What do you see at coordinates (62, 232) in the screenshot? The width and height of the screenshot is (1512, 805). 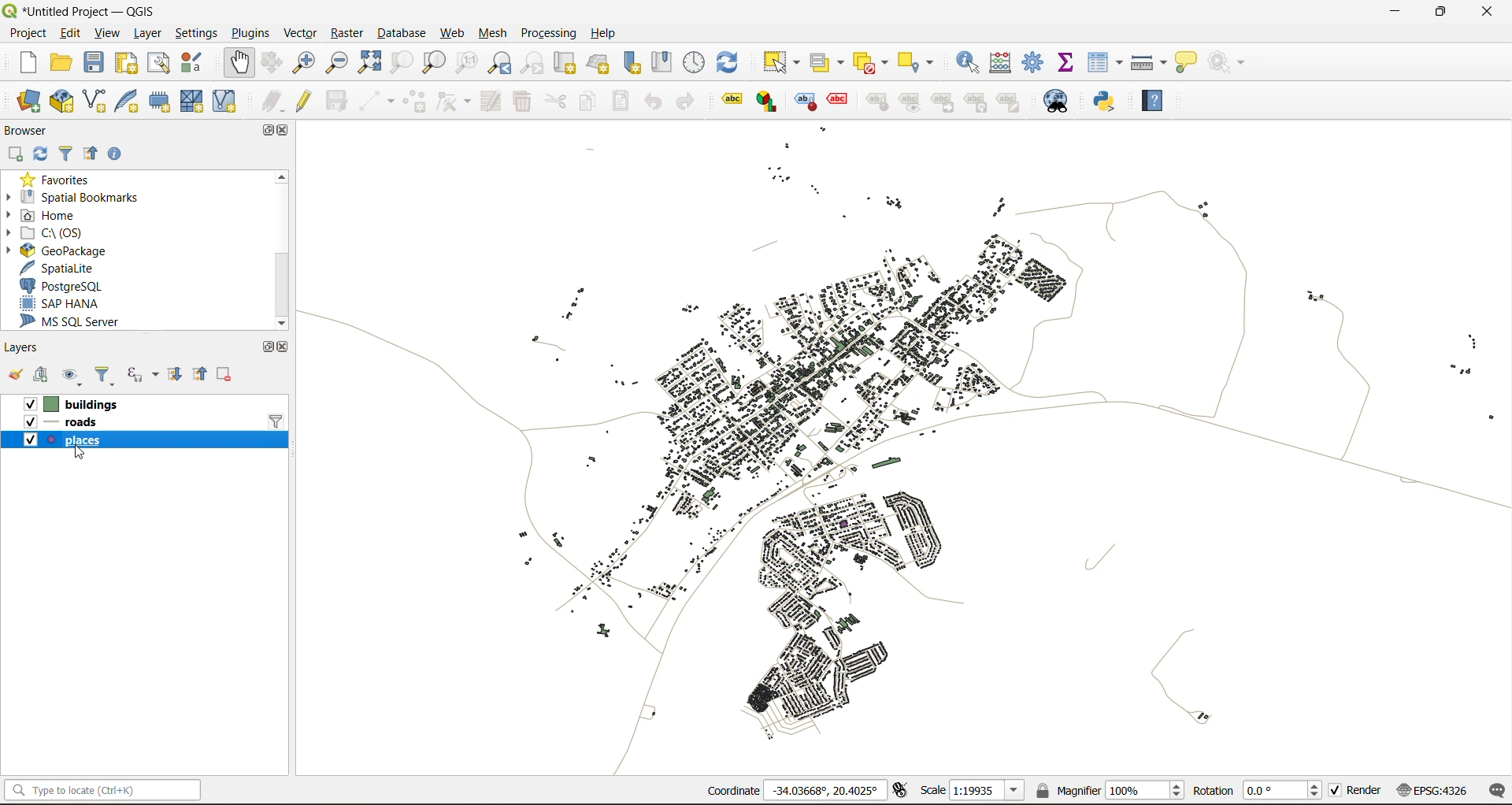 I see `c\:os` at bounding box center [62, 232].